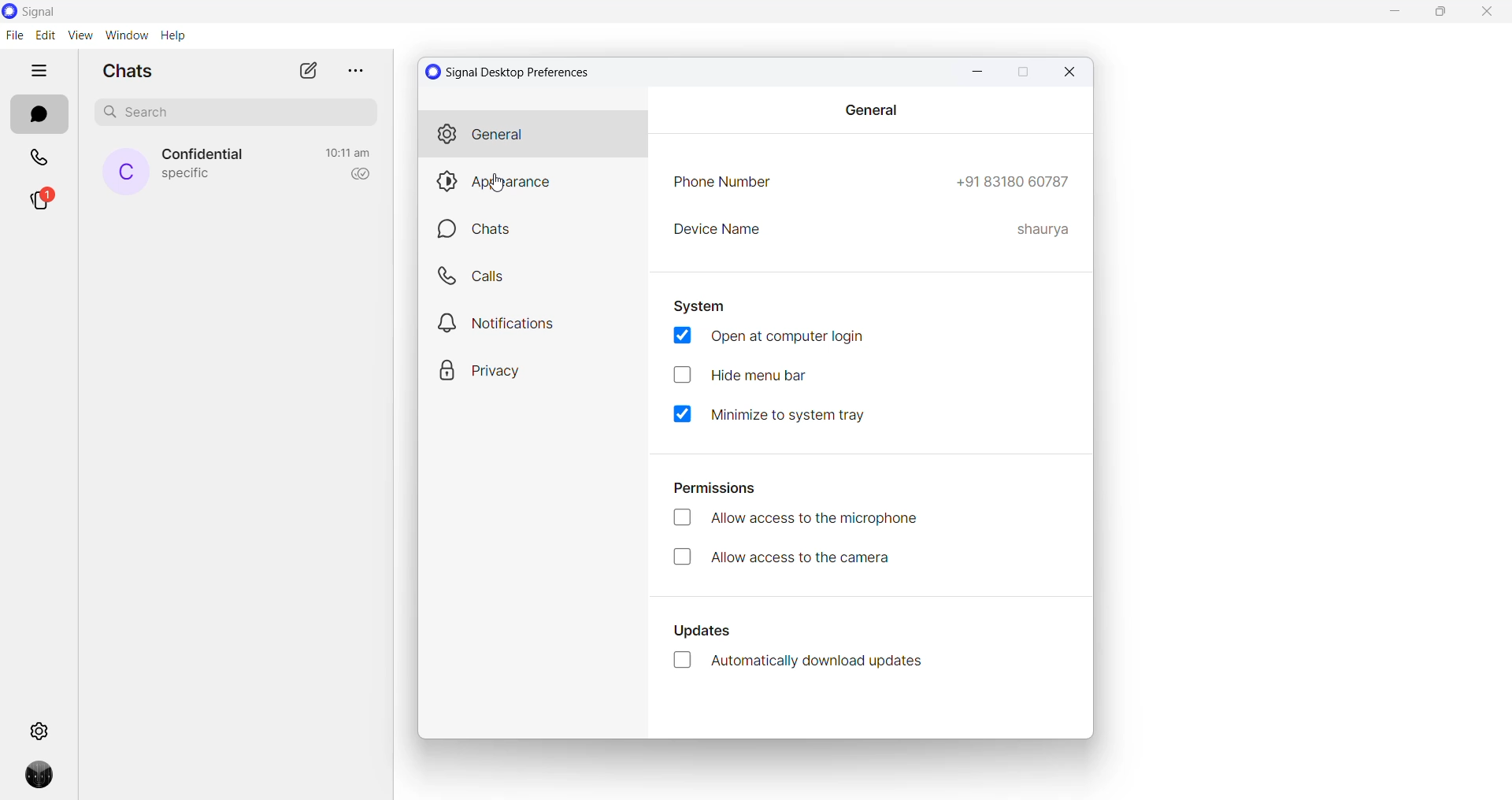  Describe the element at coordinates (498, 183) in the screenshot. I see `cursor` at that location.